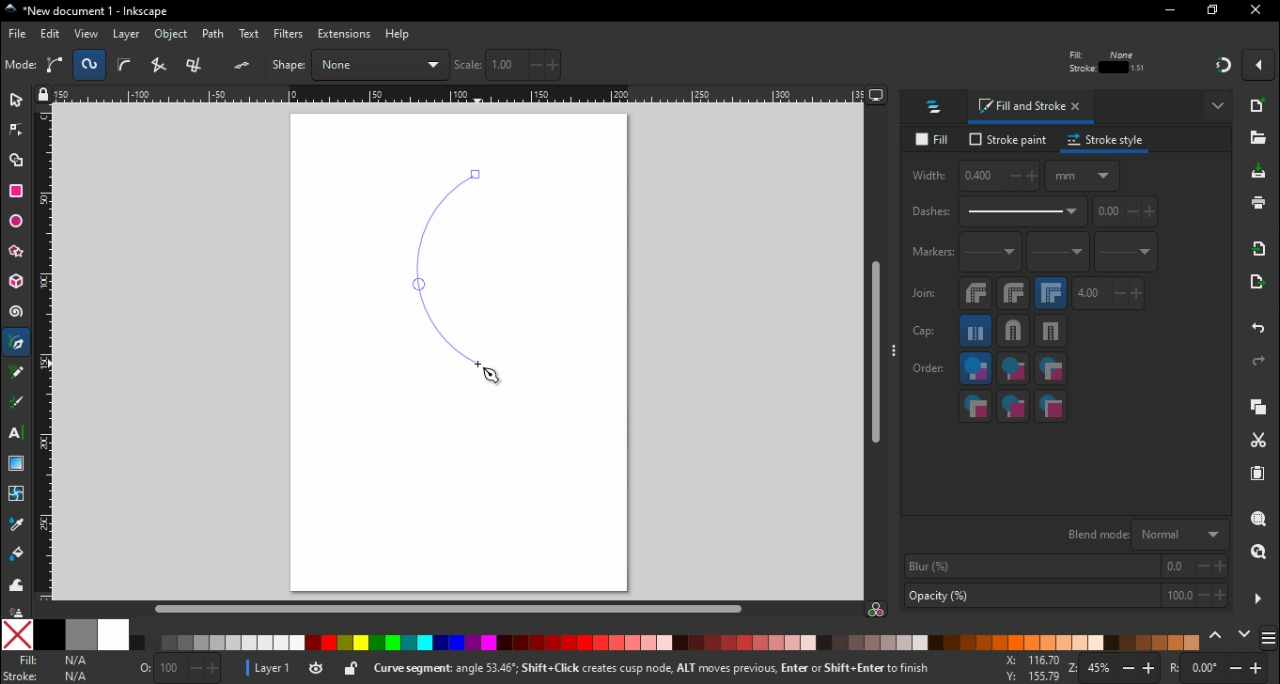 The height and width of the screenshot is (684, 1280). I want to click on gradient tool, so click(18, 464).